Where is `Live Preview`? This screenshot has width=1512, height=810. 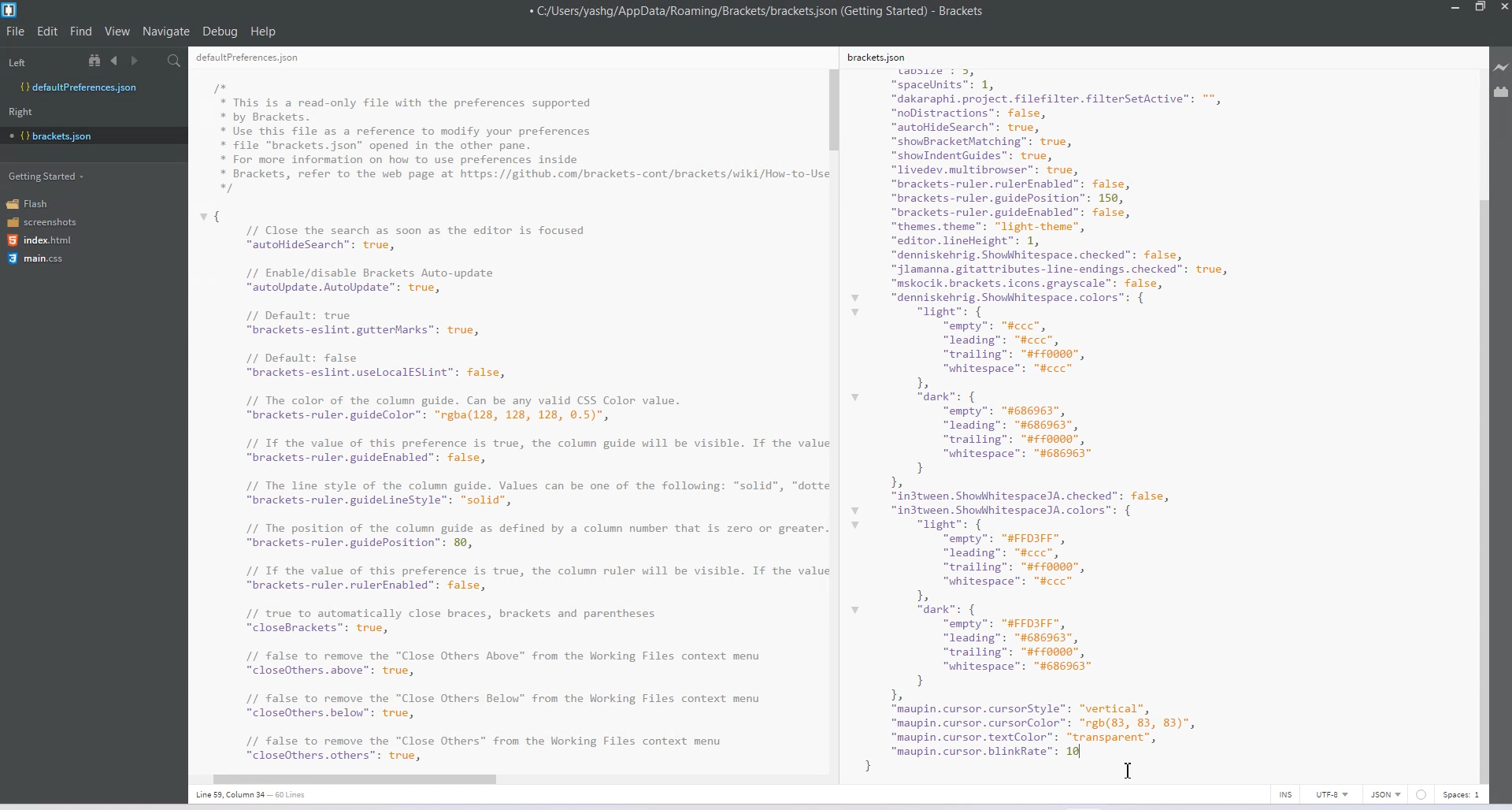 Live Preview is located at coordinates (1502, 68).